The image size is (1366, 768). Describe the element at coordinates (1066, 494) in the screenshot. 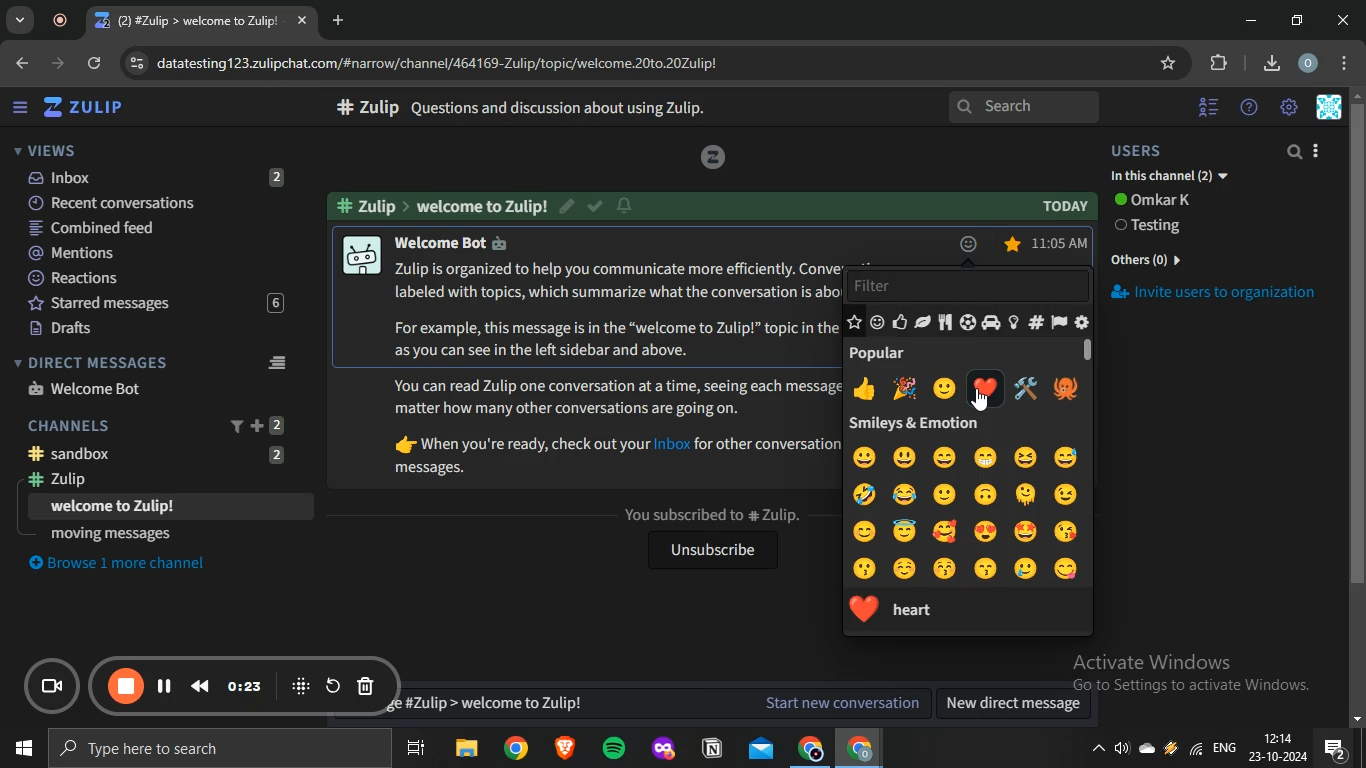

I see `wink` at that location.